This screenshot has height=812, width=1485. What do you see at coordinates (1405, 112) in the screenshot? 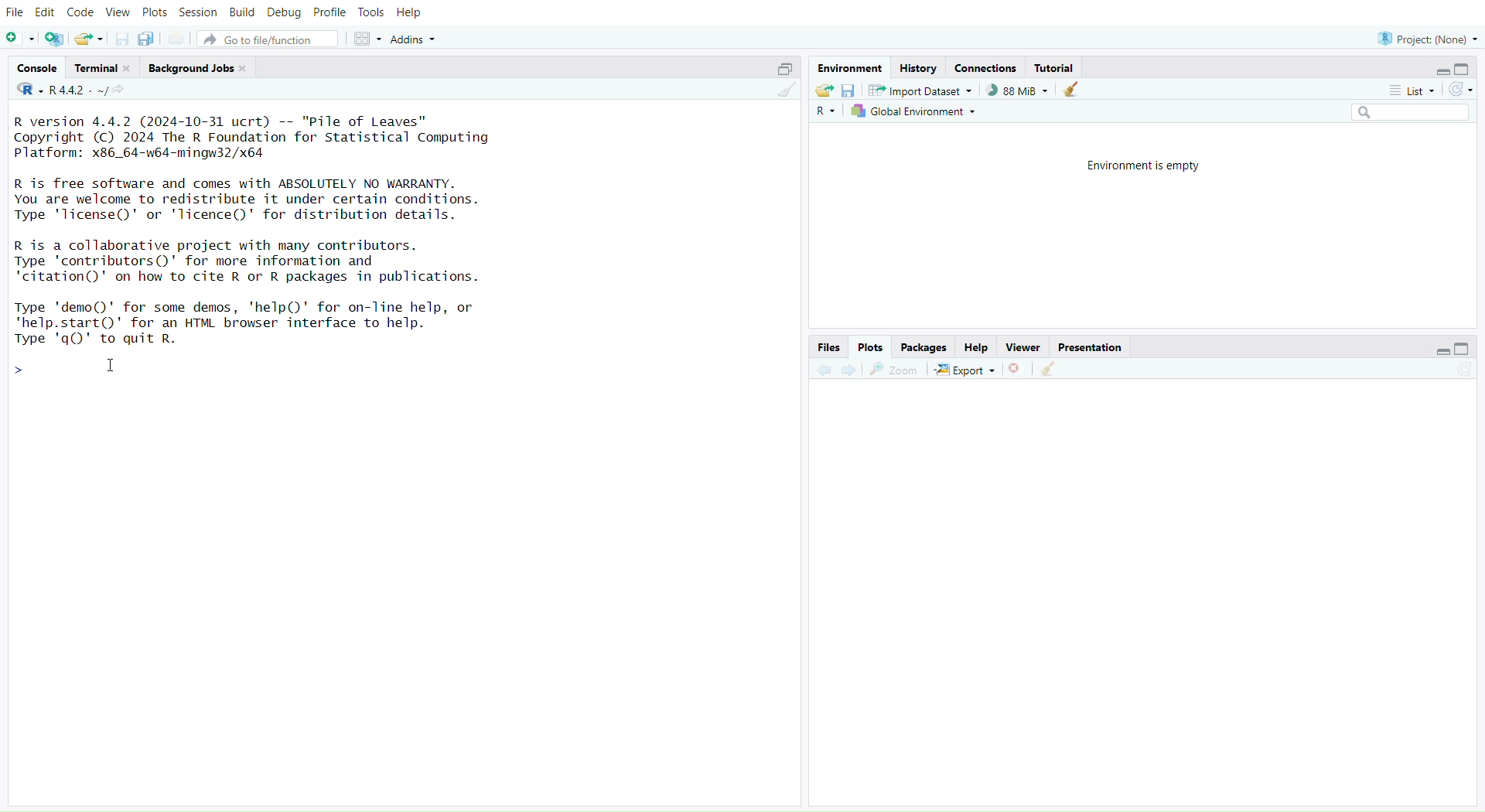
I see `search` at bounding box center [1405, 112].